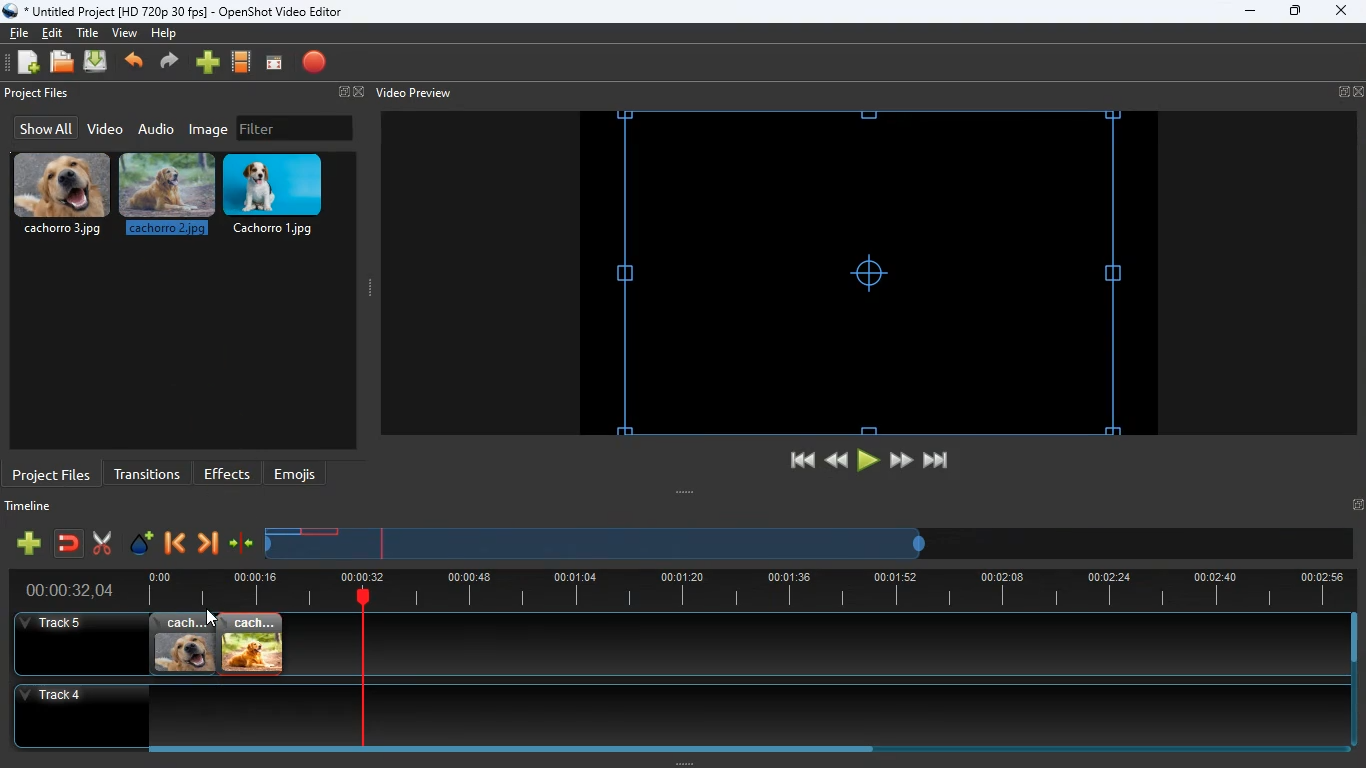 This screenshot has height=768, width=1366. Describe the element at coordinates (1250, 12) in the screenshot. I see `minimize` at that location.